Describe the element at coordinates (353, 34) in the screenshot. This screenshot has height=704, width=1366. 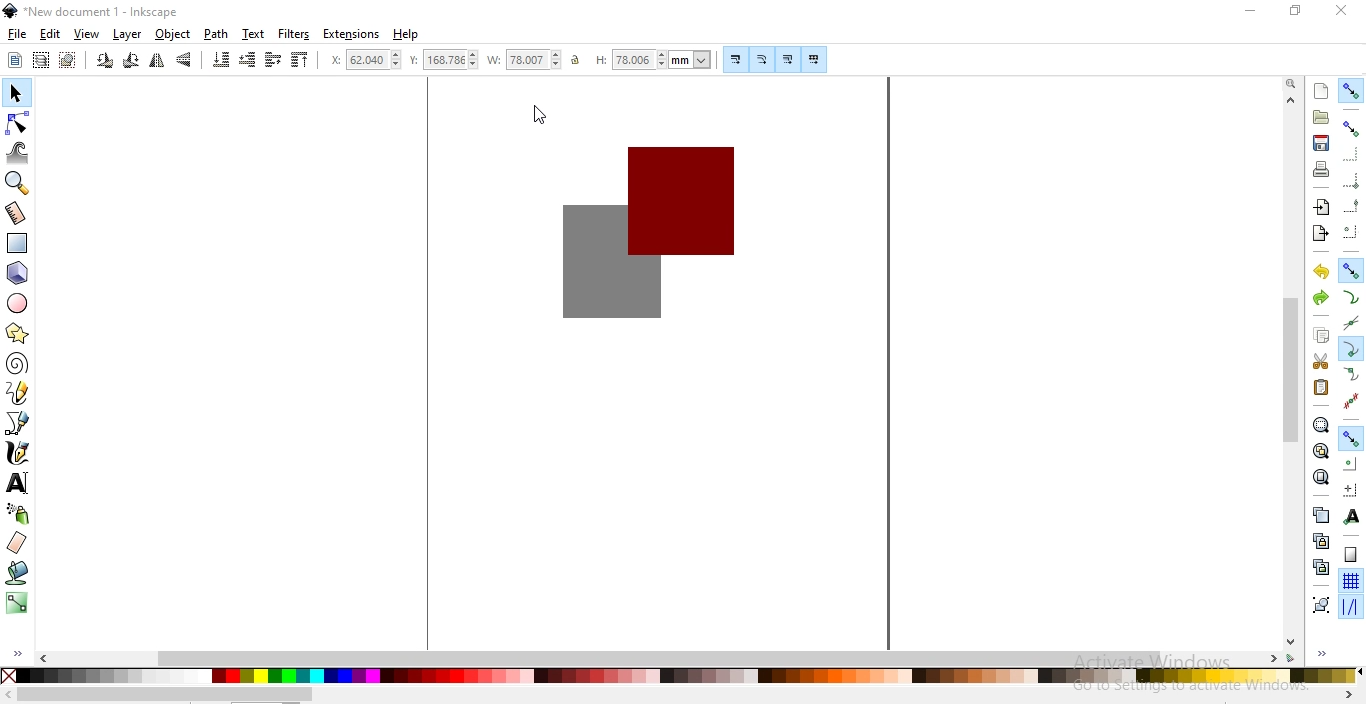
I see `extensions` at that location.